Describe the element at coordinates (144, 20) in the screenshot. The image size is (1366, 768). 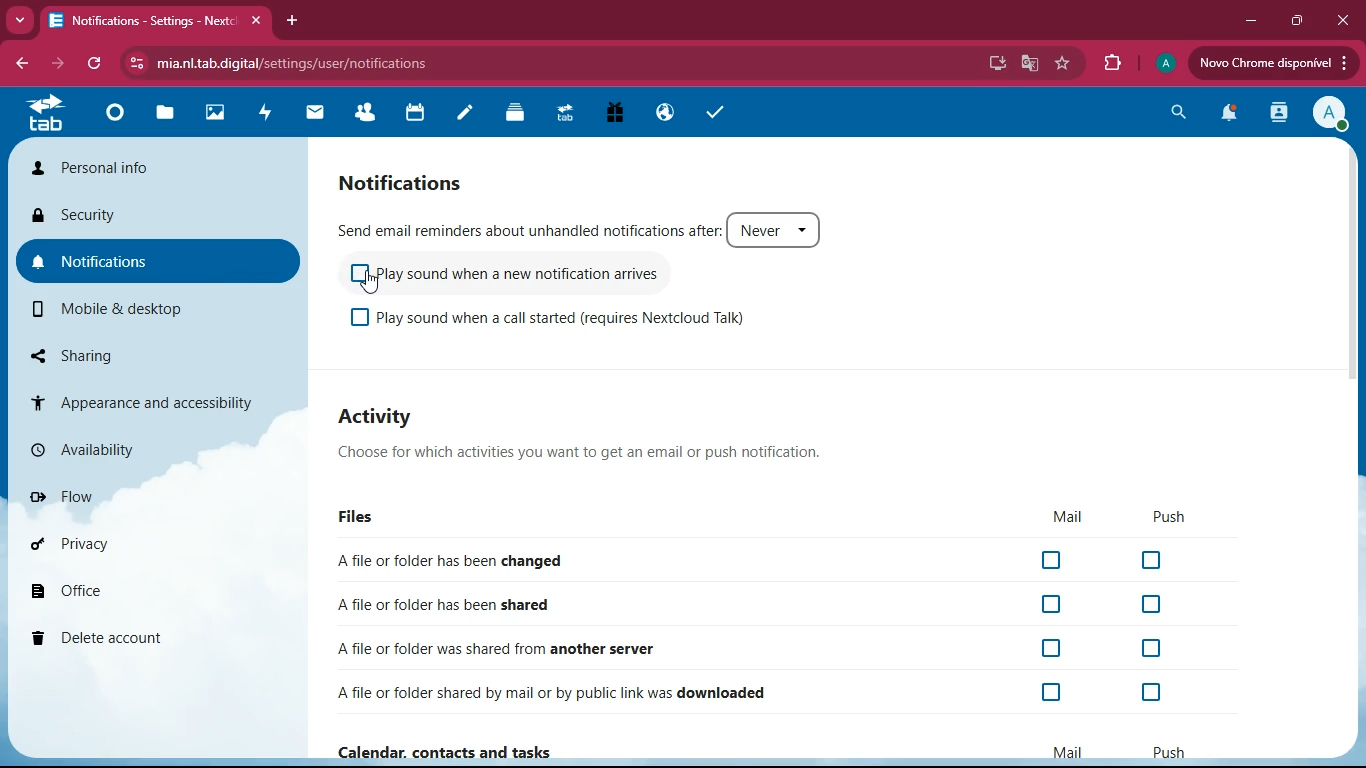
I see `tab` at that location.